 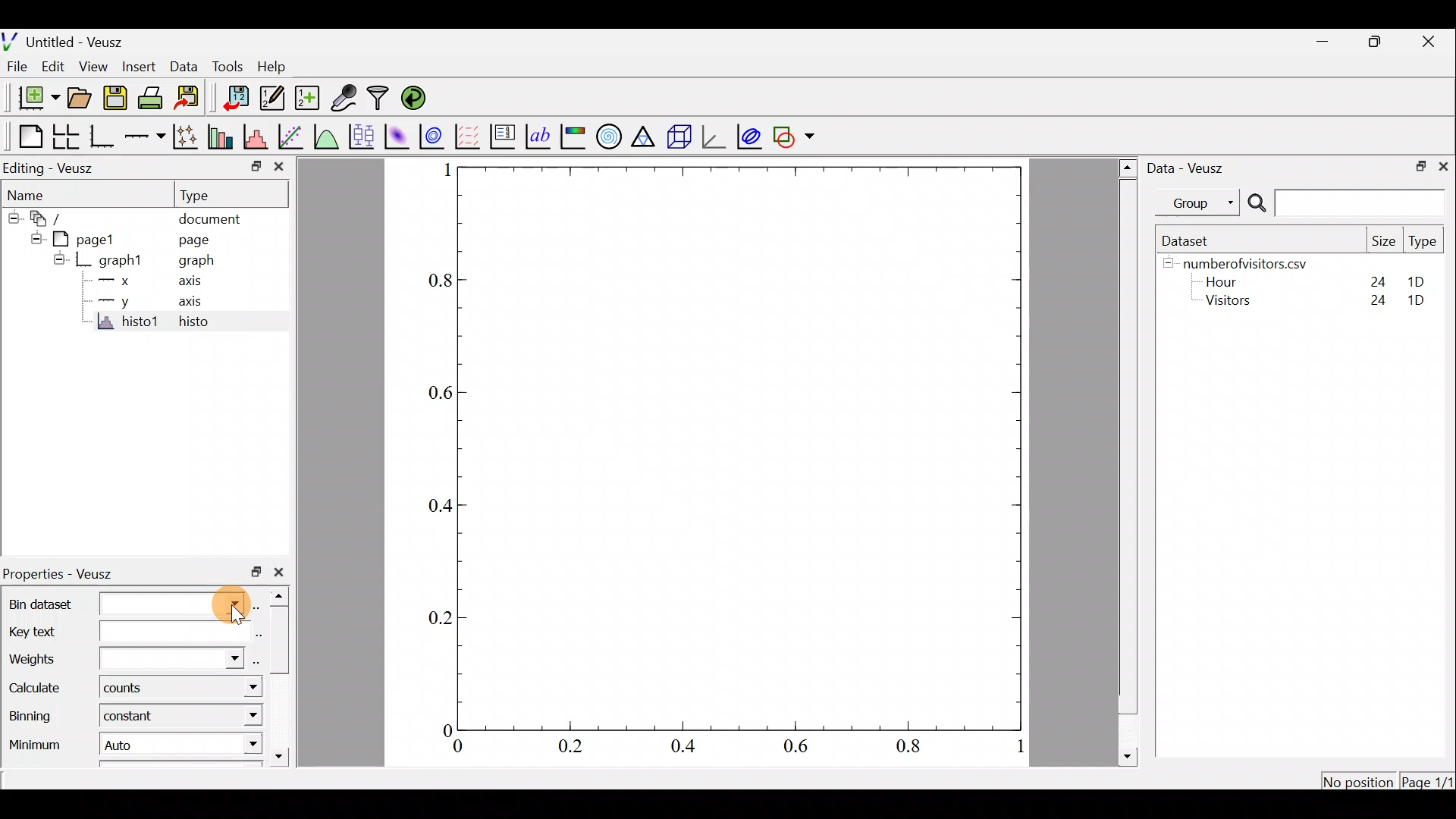 What do you see at coordinates (202, 262) in the screenshot?
I see `graph` at bounding box center [202, 262].